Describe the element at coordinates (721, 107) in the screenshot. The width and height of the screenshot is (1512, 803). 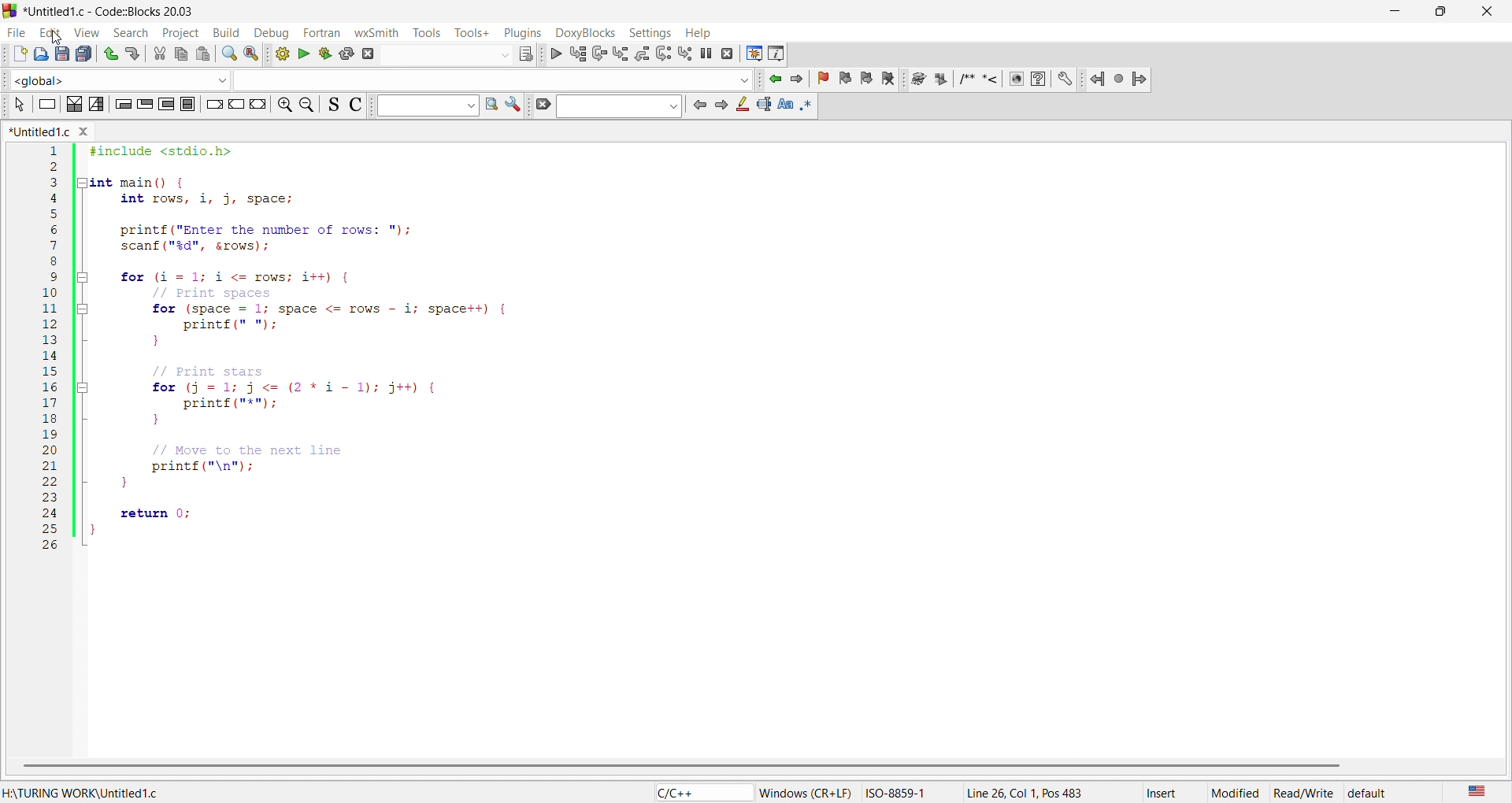
I see `icon` at that location.